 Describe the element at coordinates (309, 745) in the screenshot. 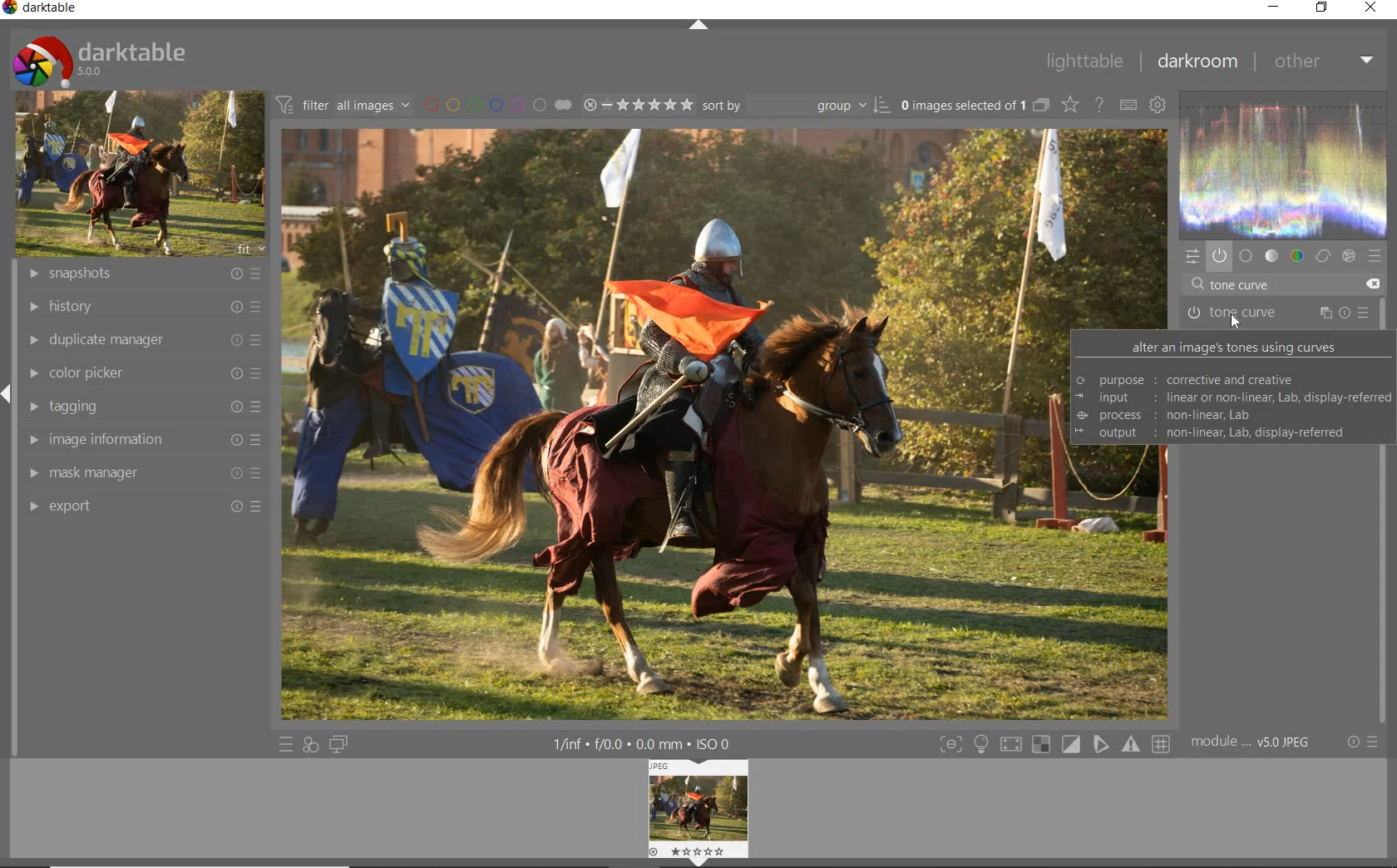

I see `quick access for applying any of your styles` at that location.